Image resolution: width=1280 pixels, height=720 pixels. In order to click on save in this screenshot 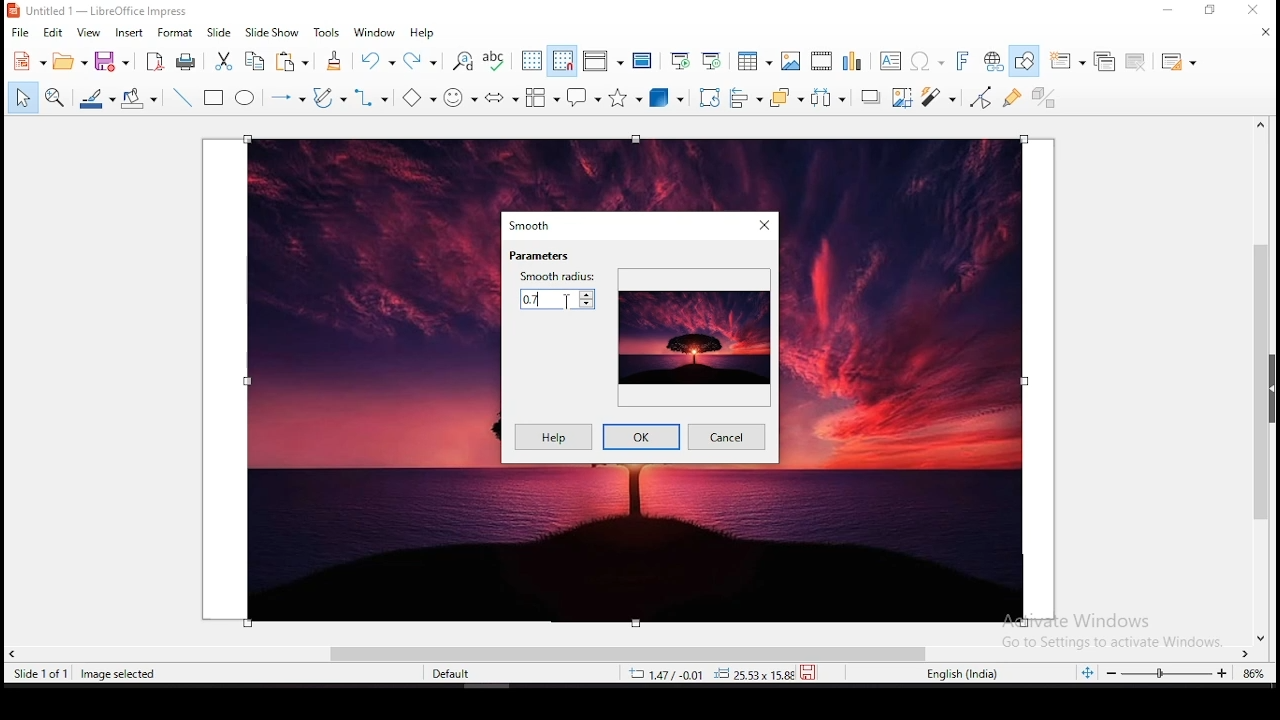, I will do `click(811, 671)`.